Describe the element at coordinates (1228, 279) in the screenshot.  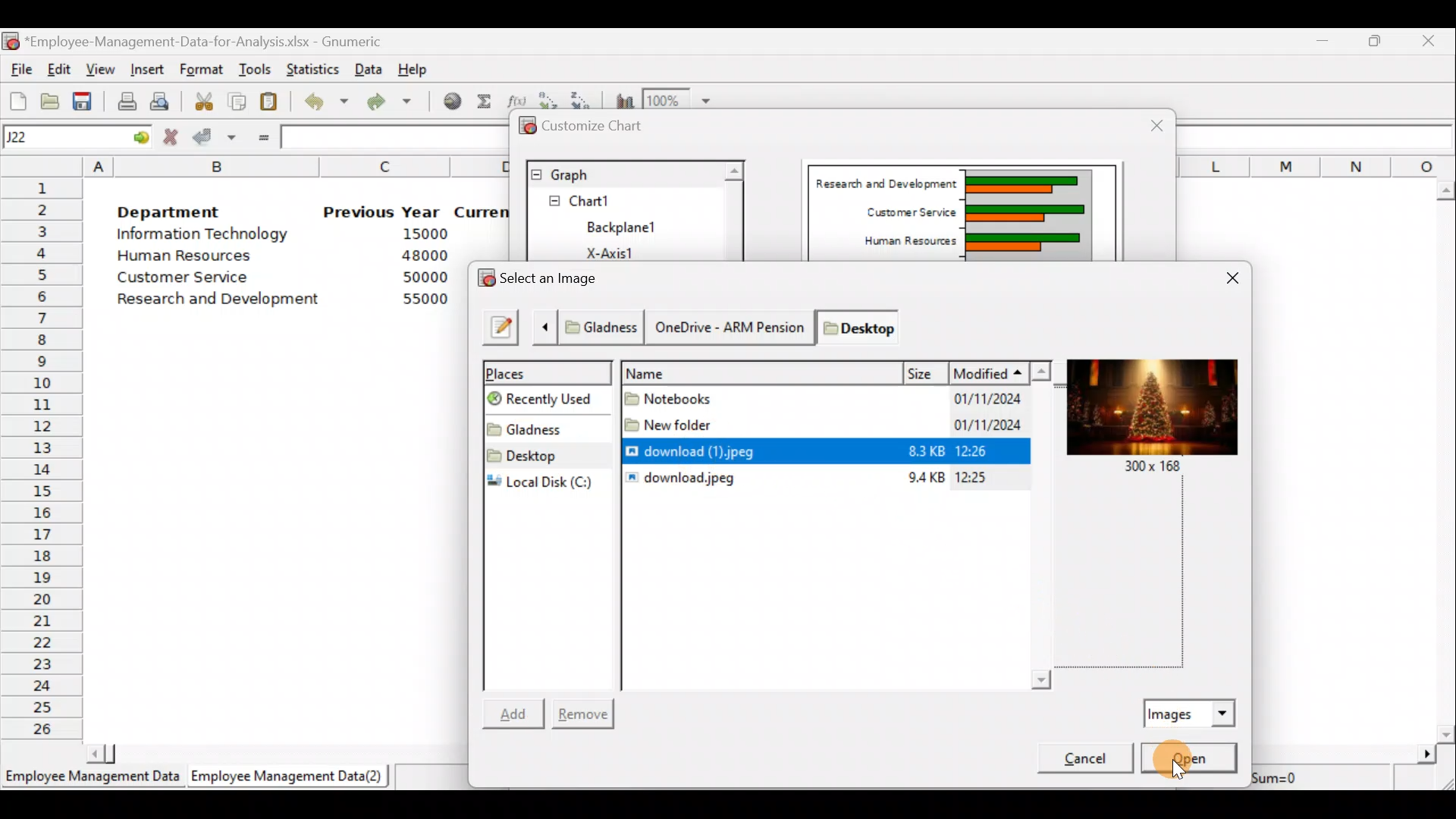
I see `Close` at that location.